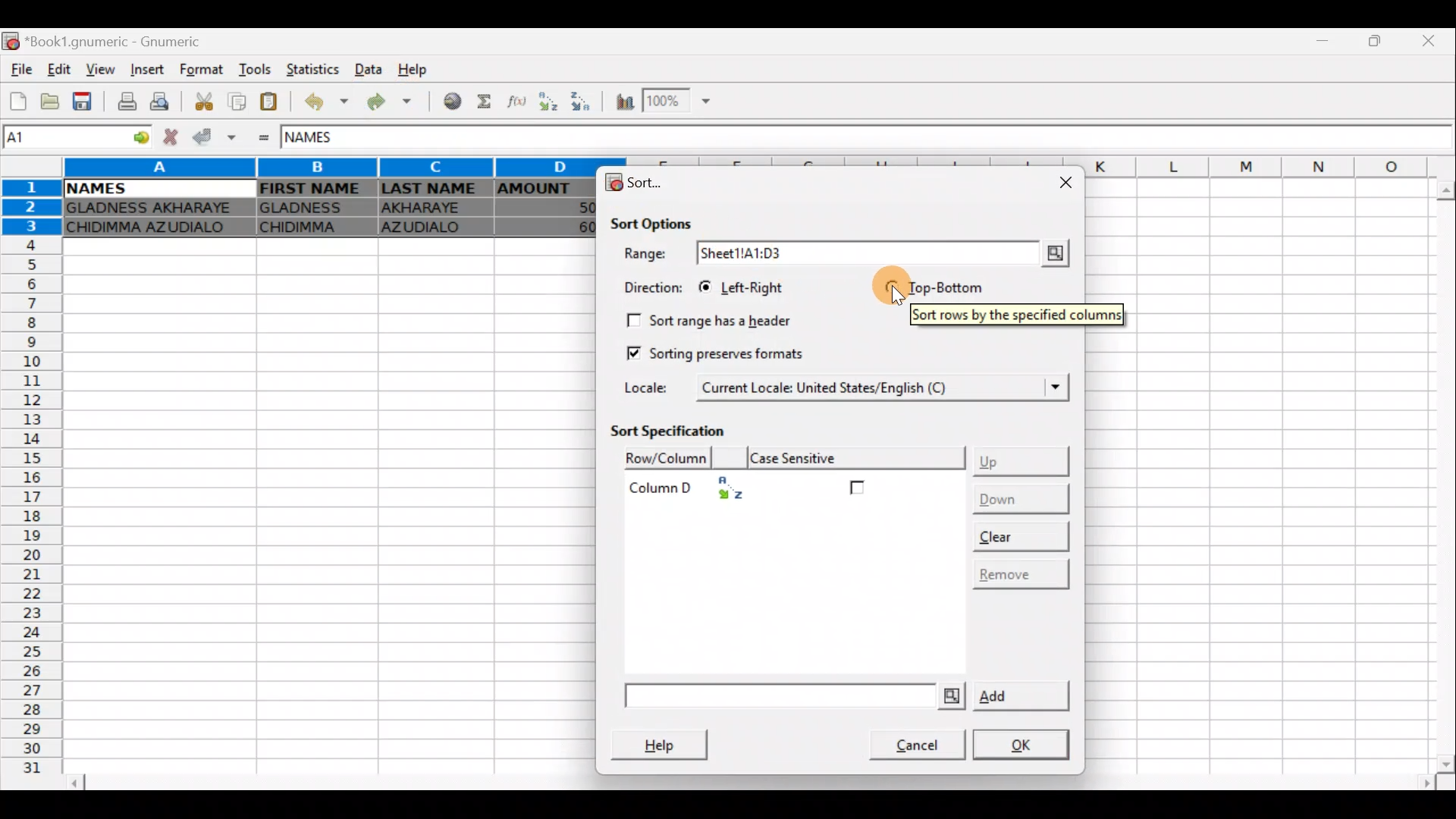 The image size is (1456, 819). I want to click on Close, so click(1062, 183).